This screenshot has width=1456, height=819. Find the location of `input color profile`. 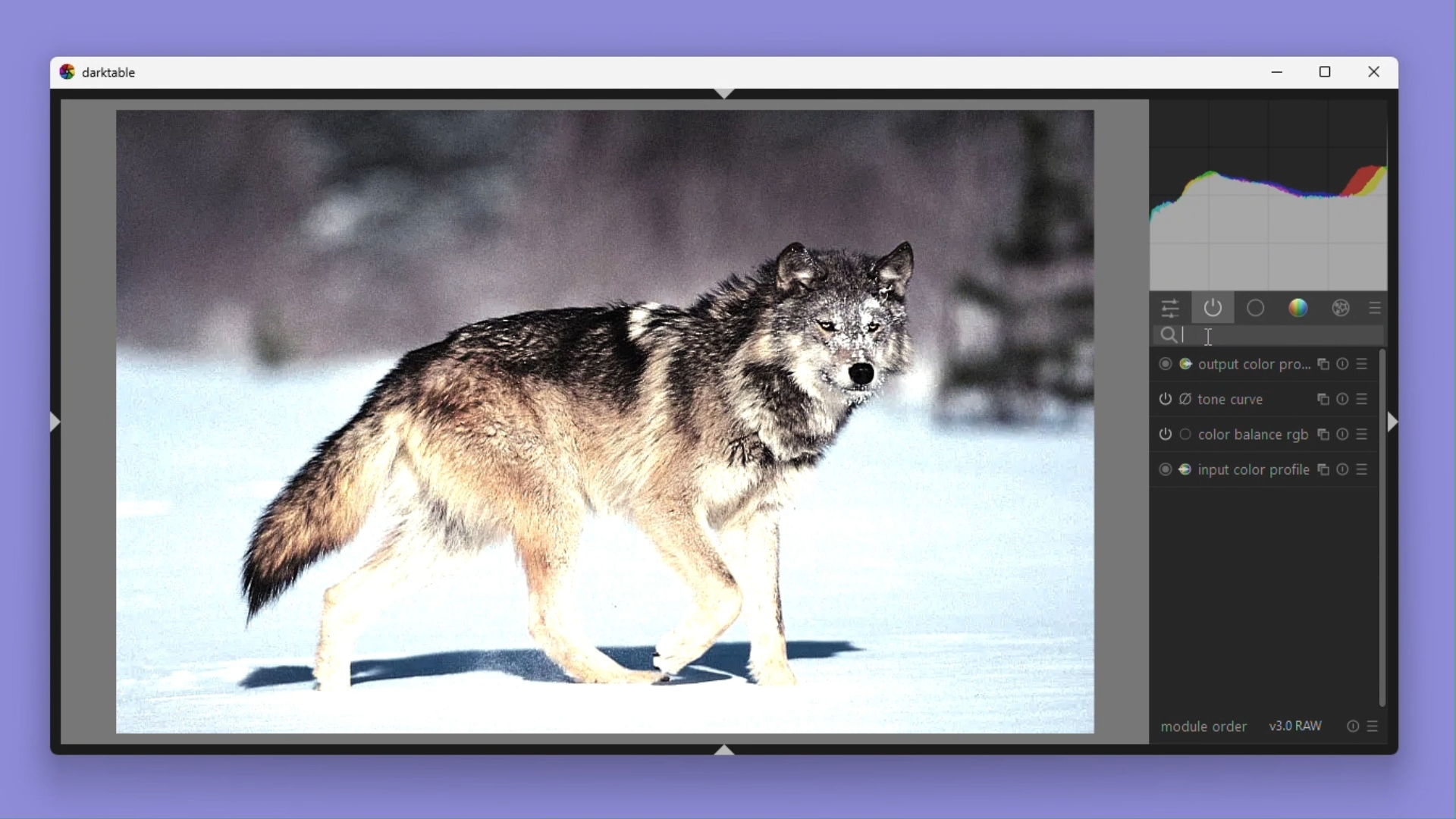

input color profile is located at coordinates (1232, 466).